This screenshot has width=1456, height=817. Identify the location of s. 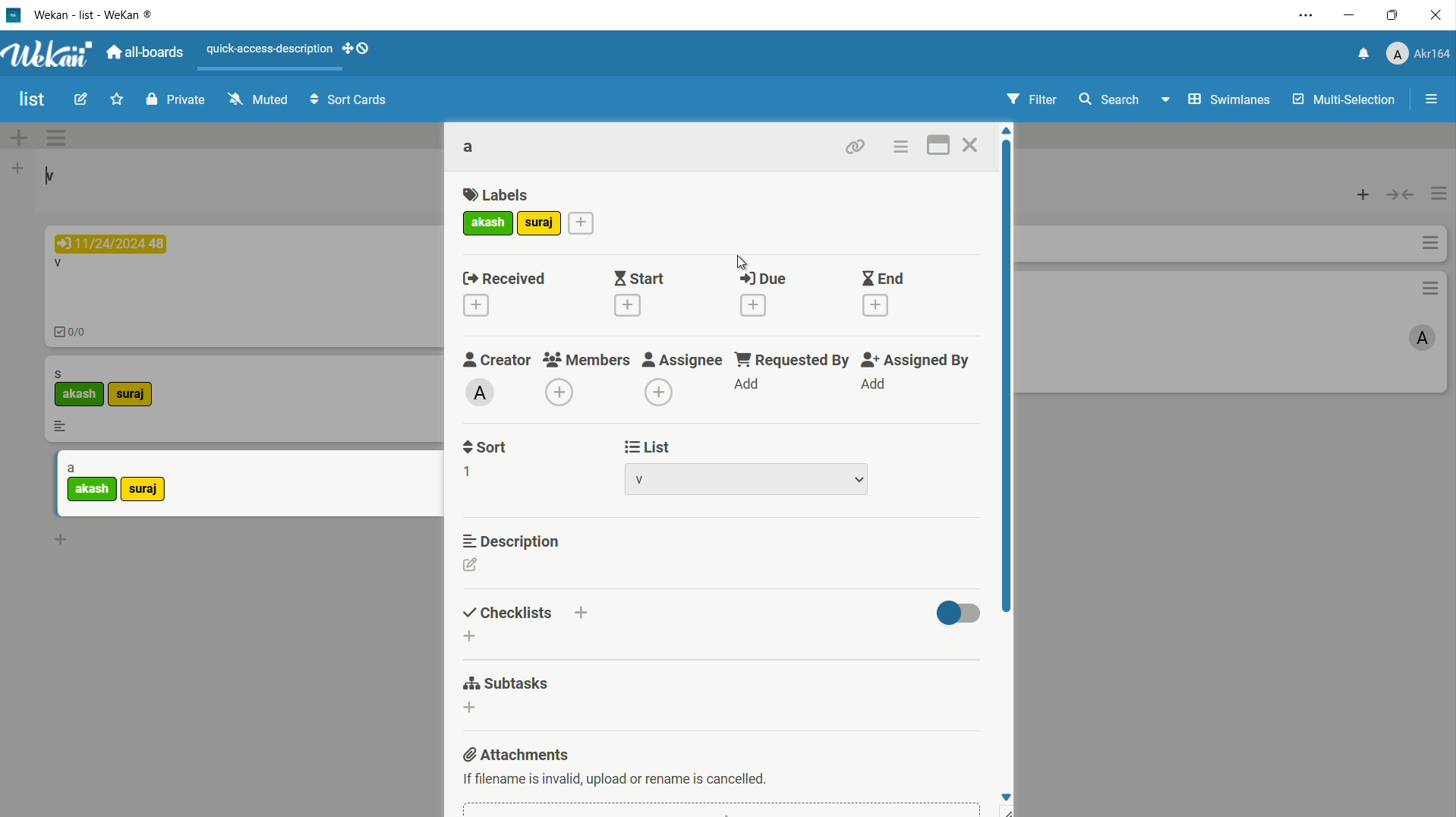
(62, 373).